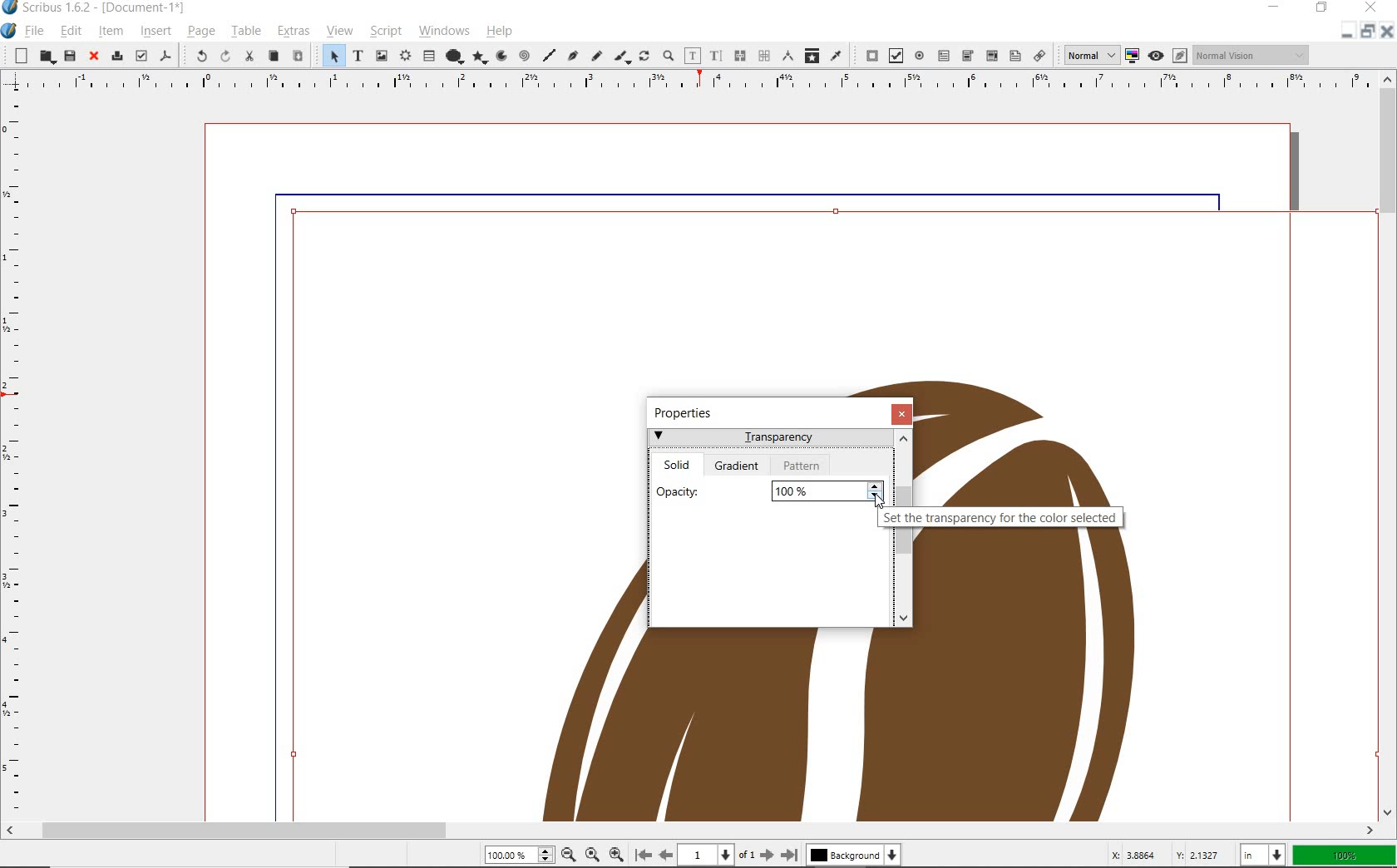 The image size is (1397, 868). Describe the element at coordinates (836, 56) in the screenshot. I see `eye dropper` at that location.